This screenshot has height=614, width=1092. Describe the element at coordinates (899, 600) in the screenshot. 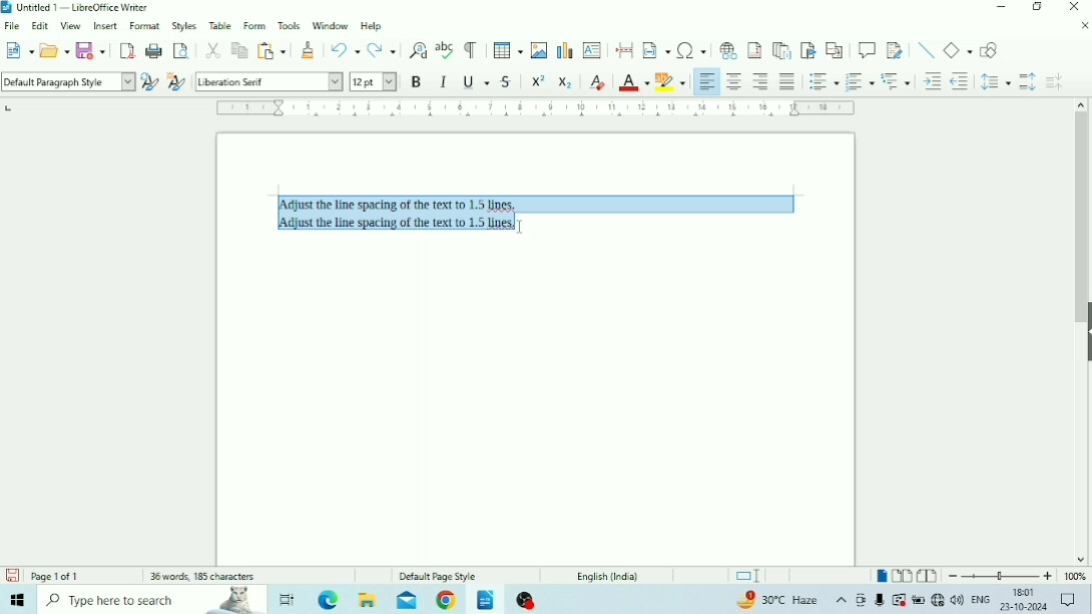

I see `Warning` at that location.